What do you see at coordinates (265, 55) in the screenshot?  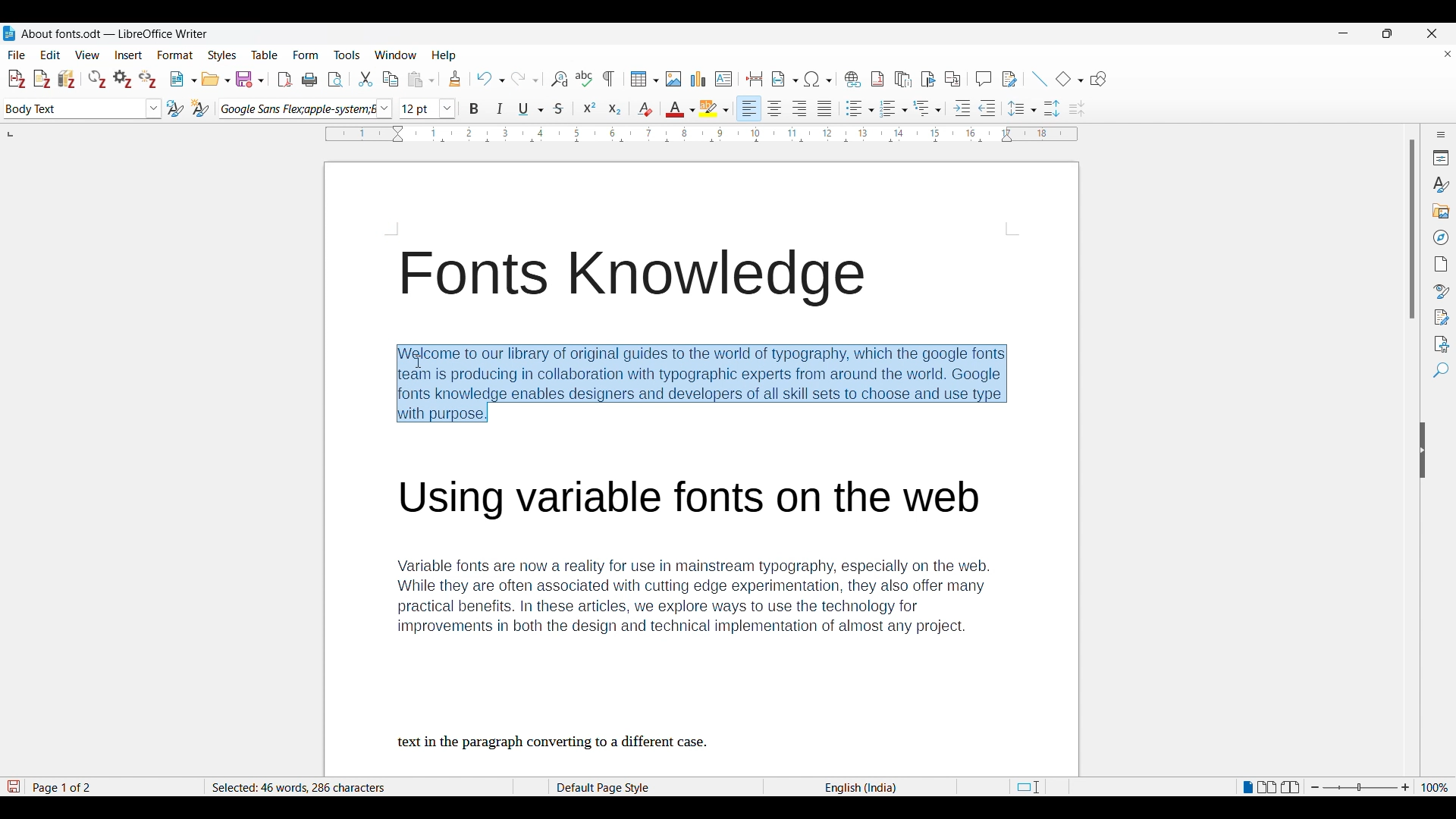 I see `Table menu` at bounding box center [265, 55].